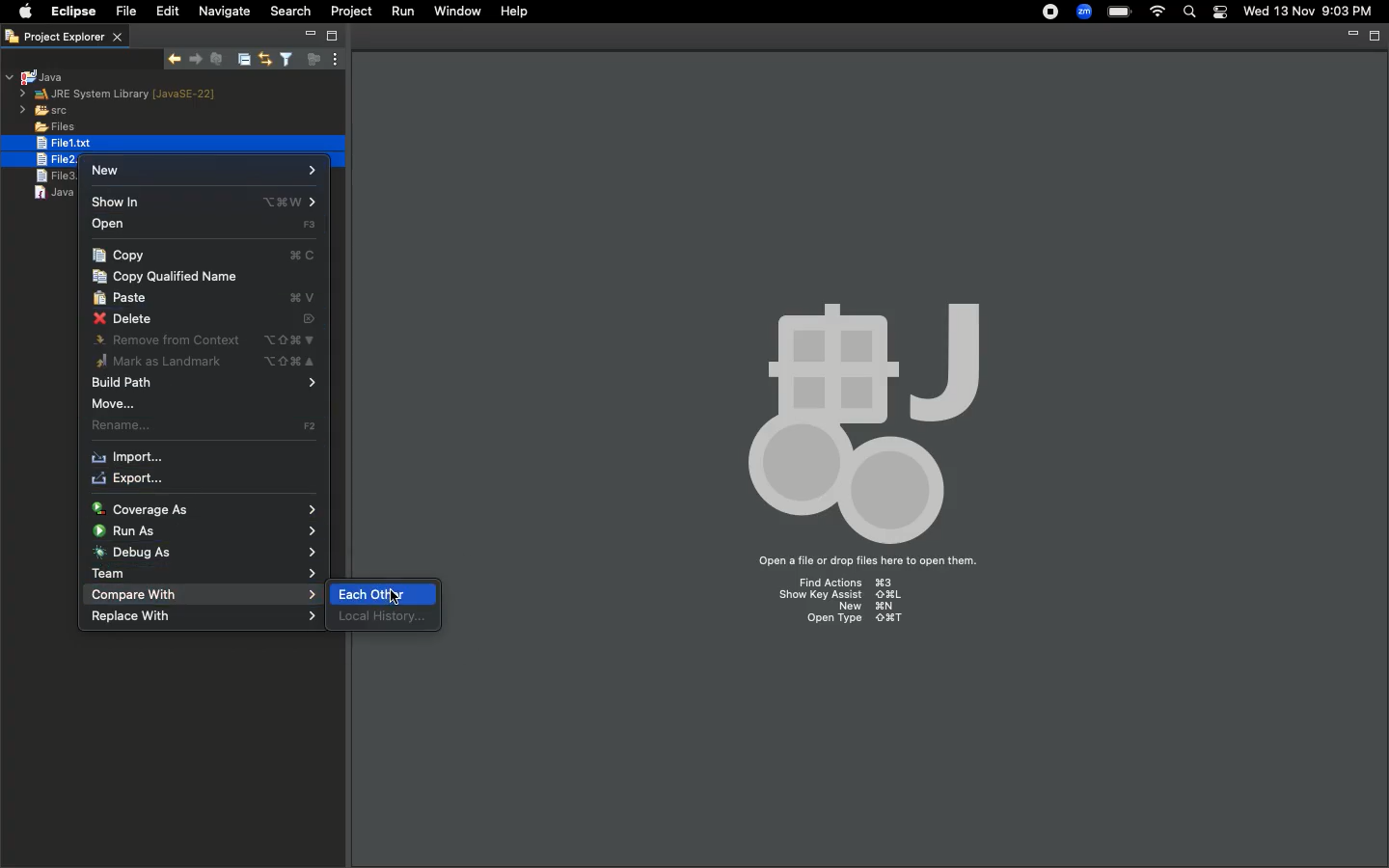  What do you see at coordinates (865, 562) in the screenshot?
I see `Open a file or drop files here` at bounding box center [865, 562].